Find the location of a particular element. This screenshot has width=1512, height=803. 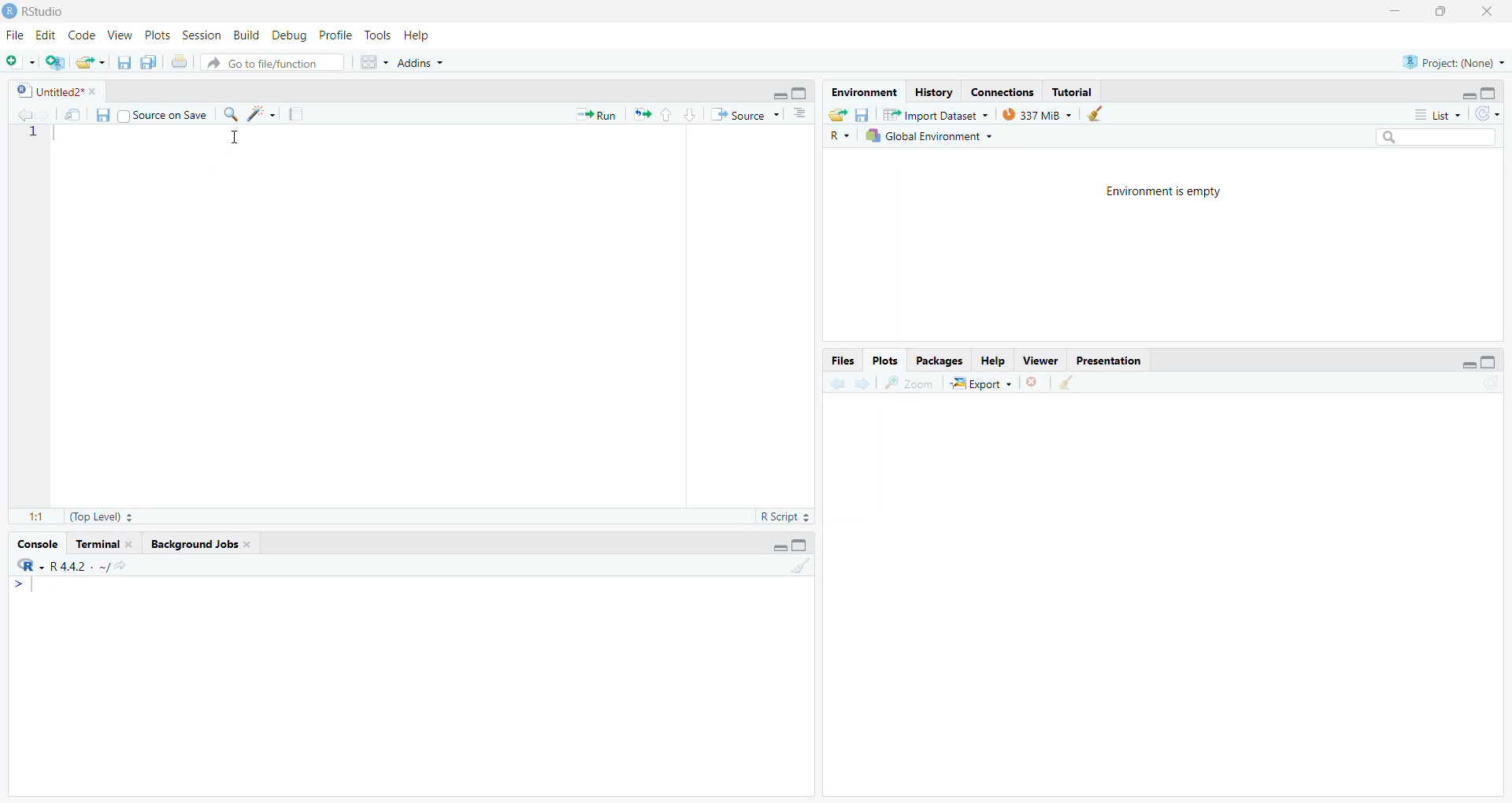

hide r script is located at coordinates (776, 96).